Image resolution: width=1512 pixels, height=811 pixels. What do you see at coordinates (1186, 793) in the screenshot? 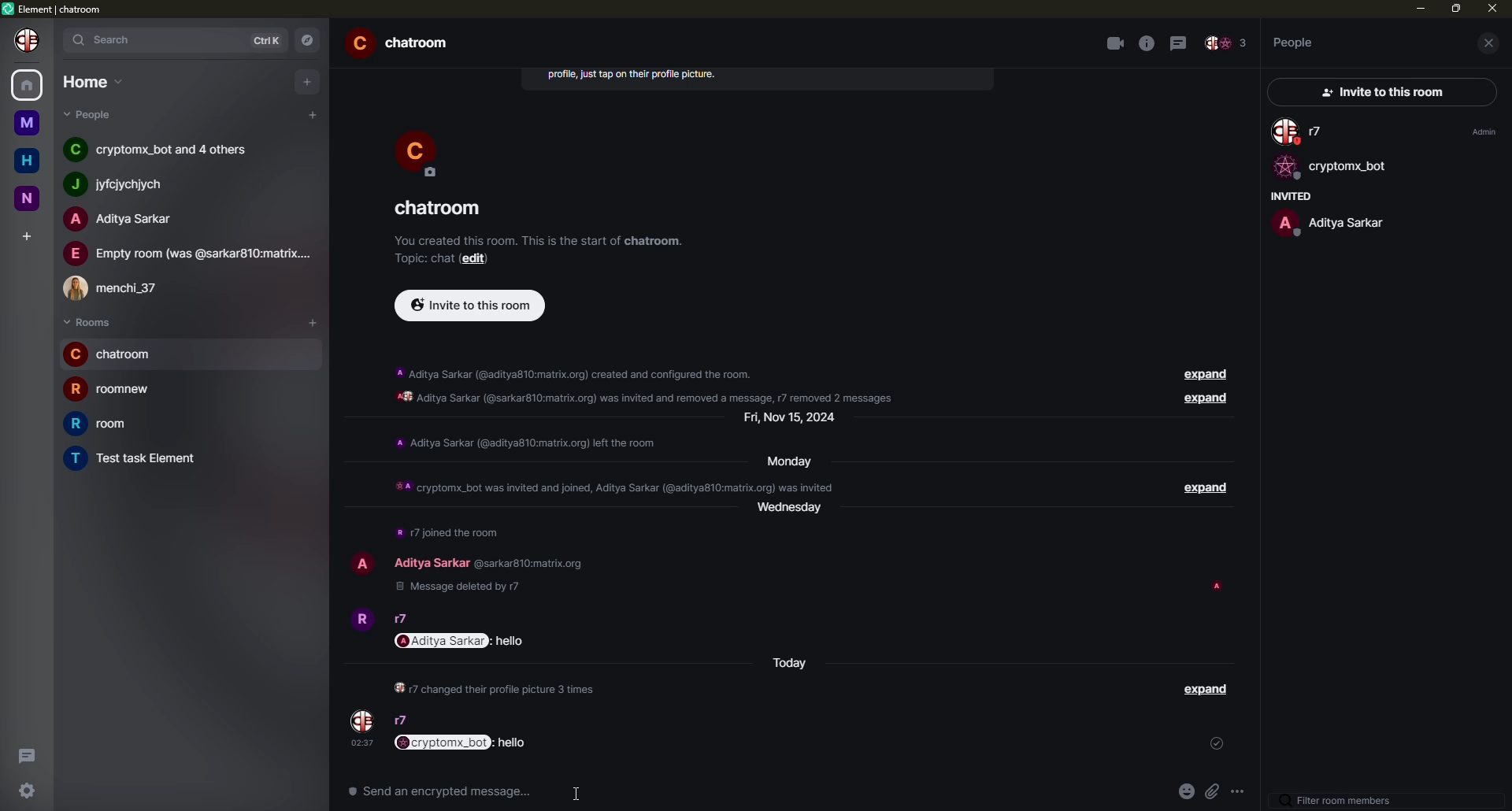
I see `attach` at bounding box center [1186, 793].